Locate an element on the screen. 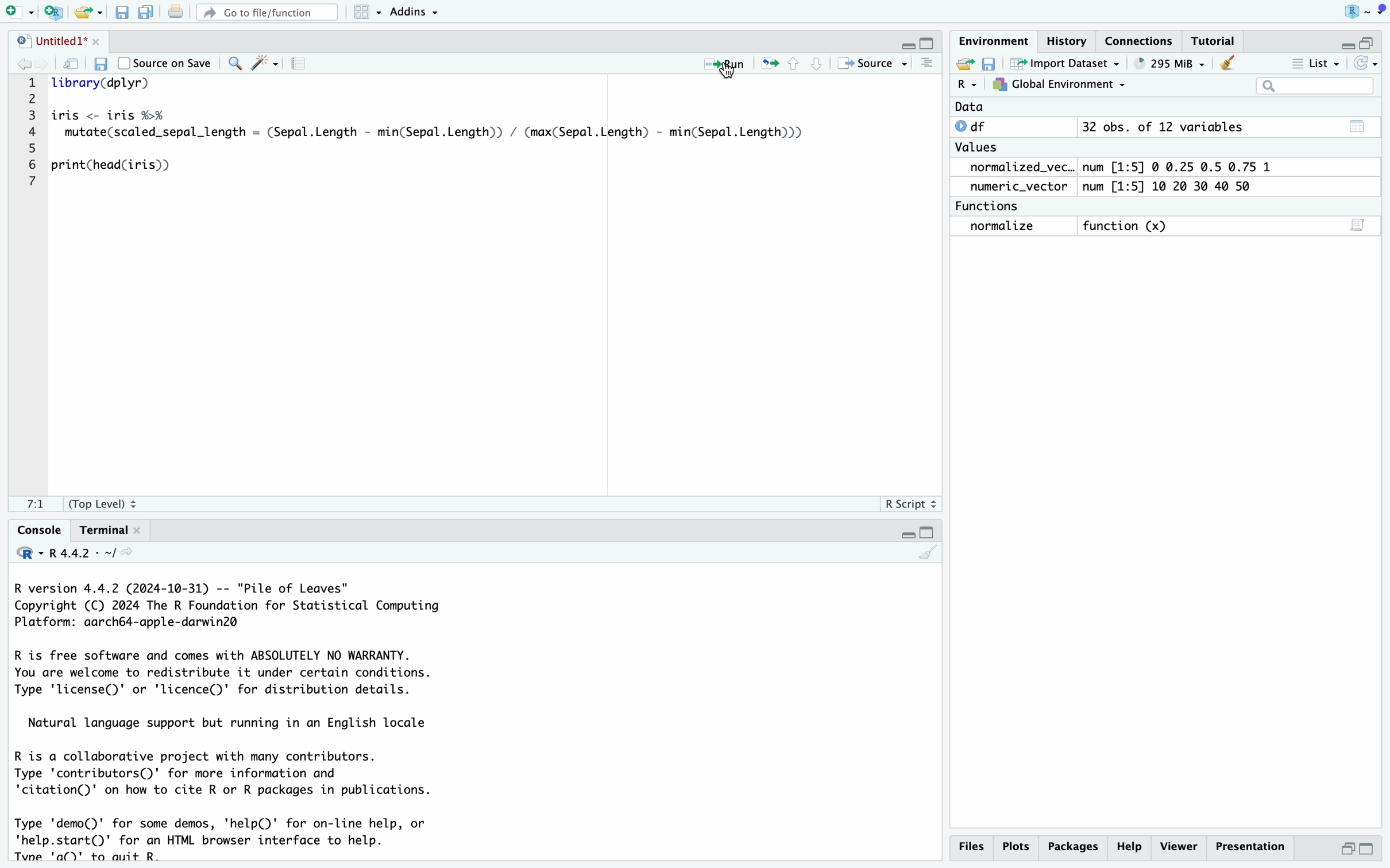 The height and width of the screenshot is (868, 1390). Source on Save is located at coordinates (166, 61).